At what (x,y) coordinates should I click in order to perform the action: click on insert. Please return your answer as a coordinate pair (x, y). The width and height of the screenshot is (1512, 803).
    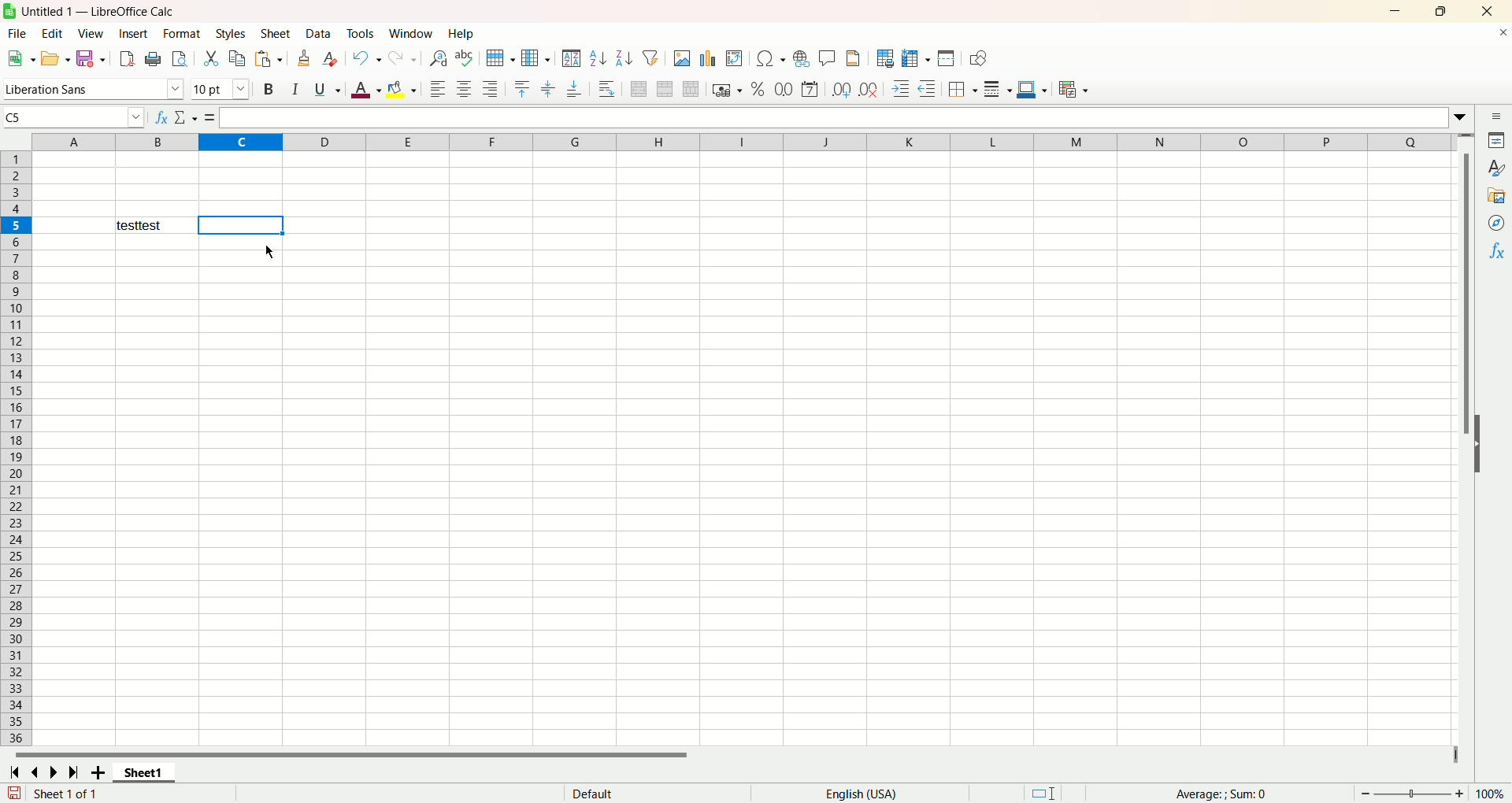
    Looking at the image, I should click on (134, 33).